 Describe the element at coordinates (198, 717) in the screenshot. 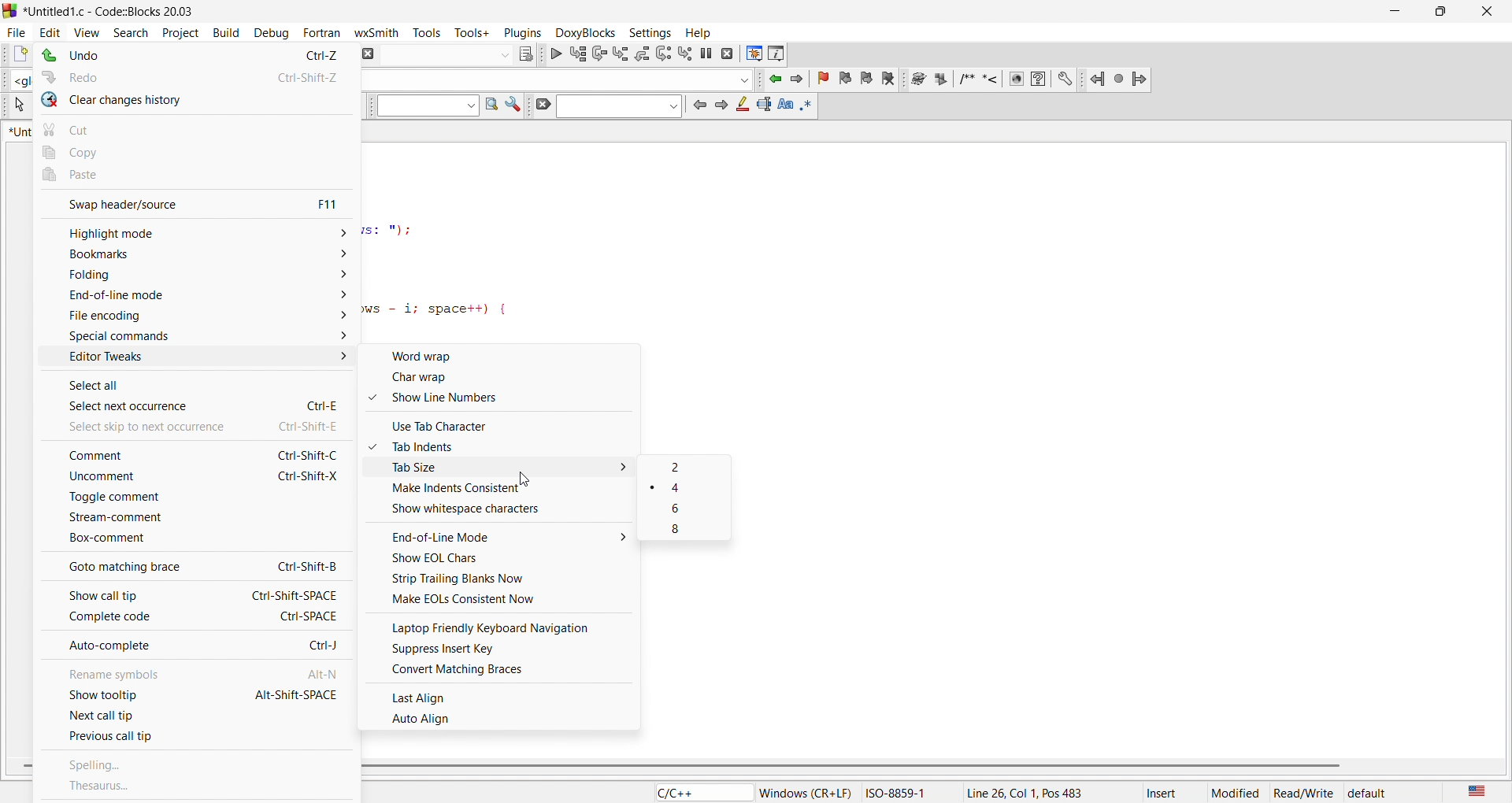

I see `next call tip` at that location.